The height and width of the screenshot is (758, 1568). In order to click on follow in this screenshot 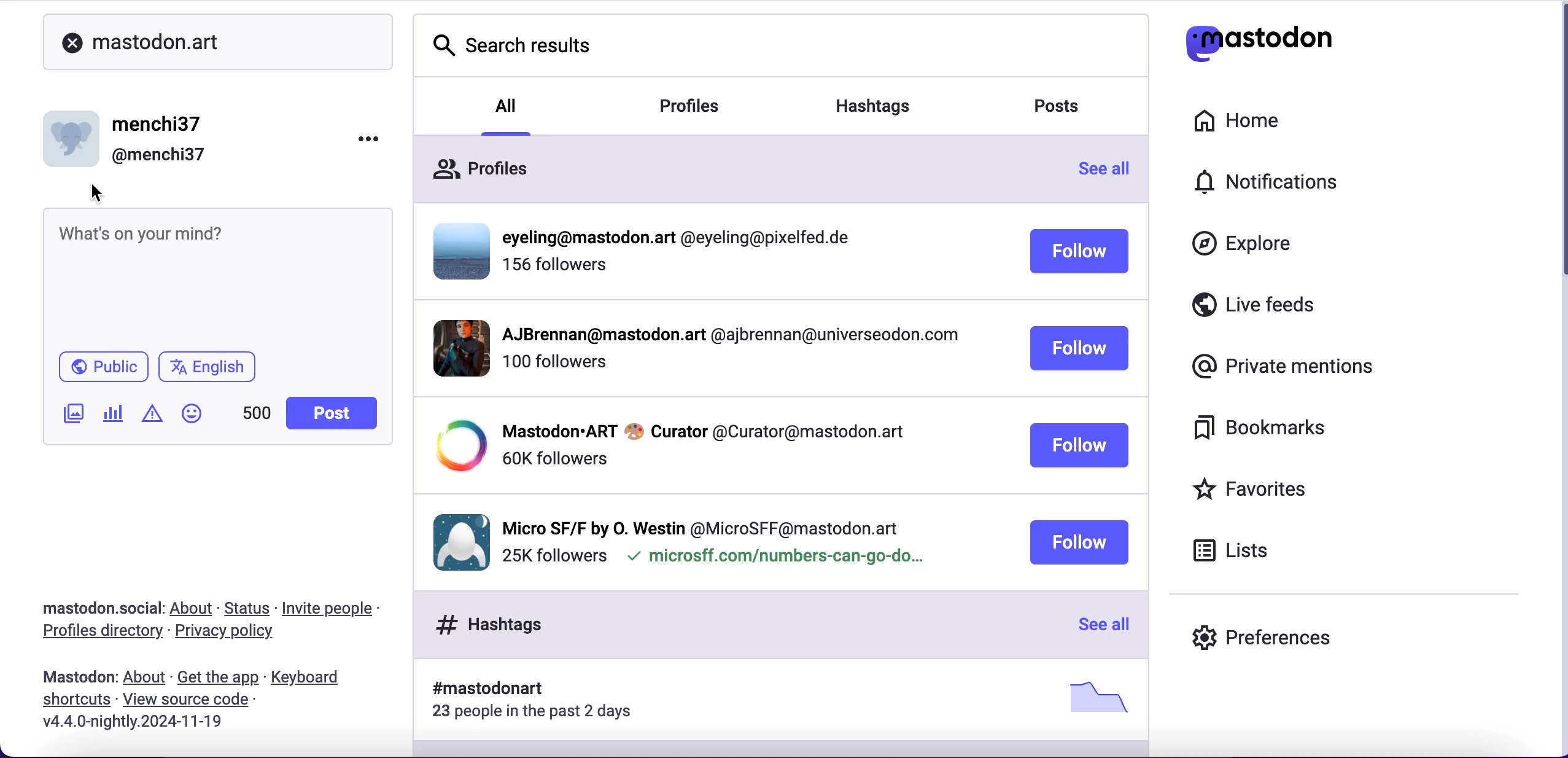, I will do `click(1078, 349)`.